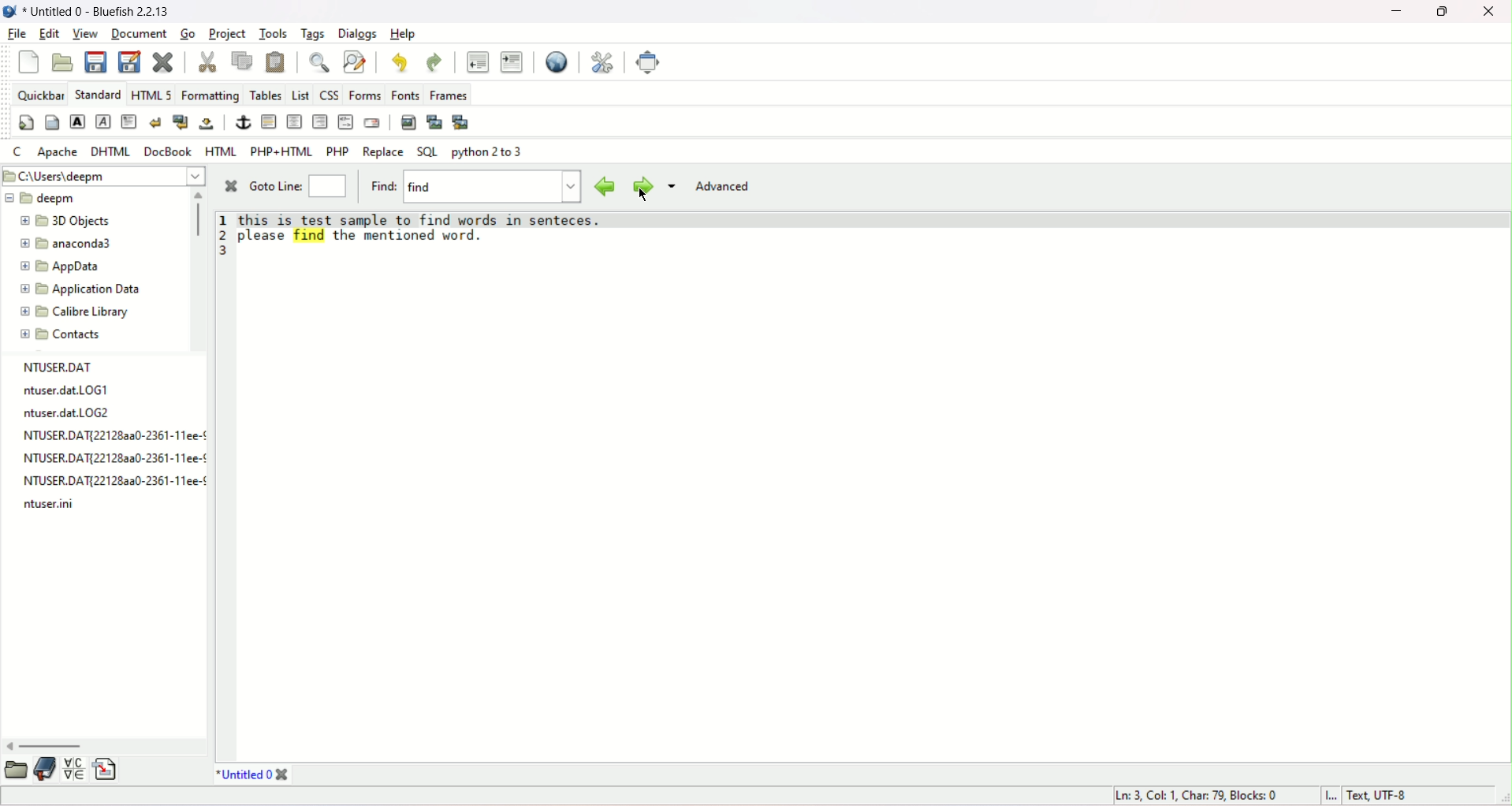 The image size is (1512, 806). What do you see at coordinates (296, 95) in the screenshot?
I see `list` at bounding box center [296, 95].